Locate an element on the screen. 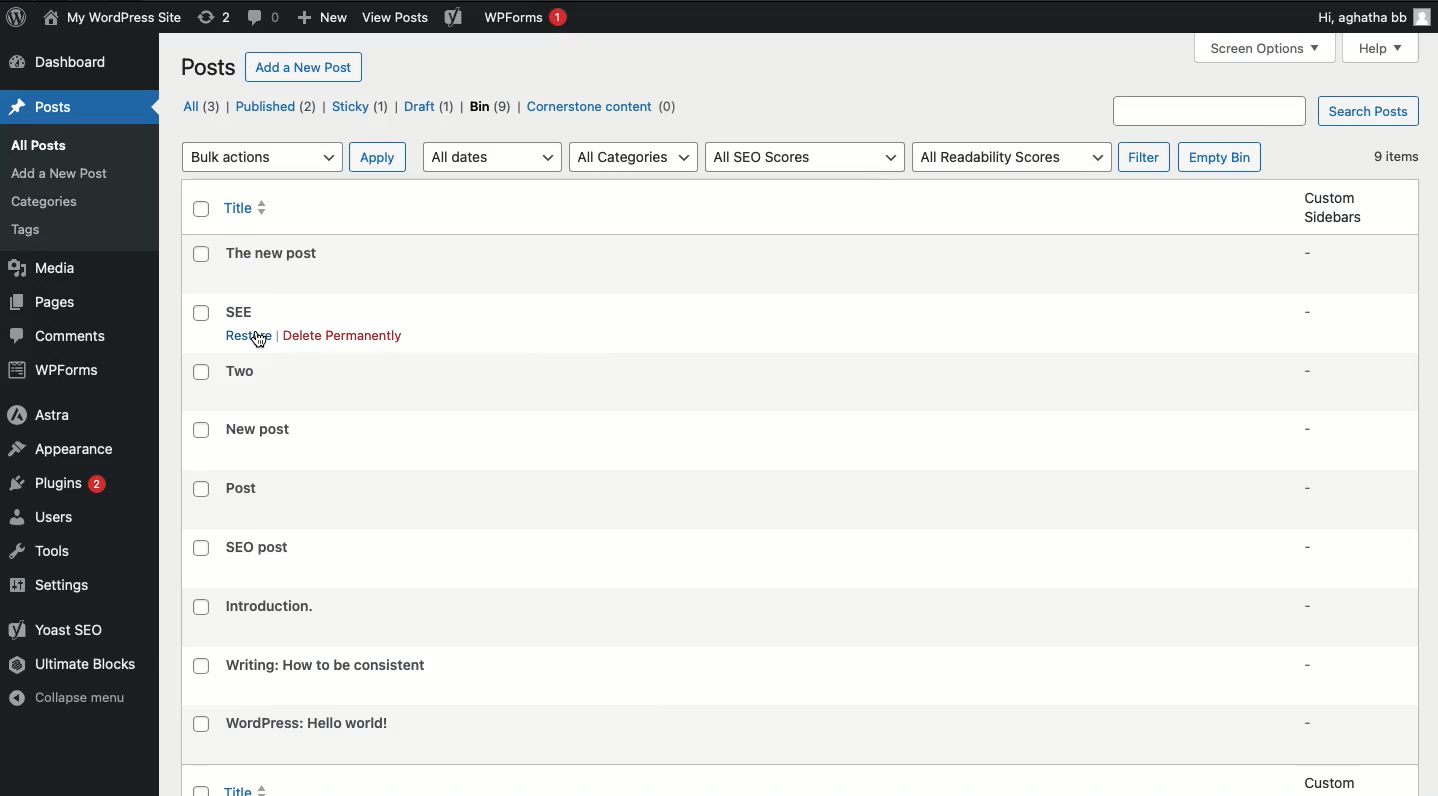 The image size is (1438, 796). Checkbox is located at coordinates (201, 371).